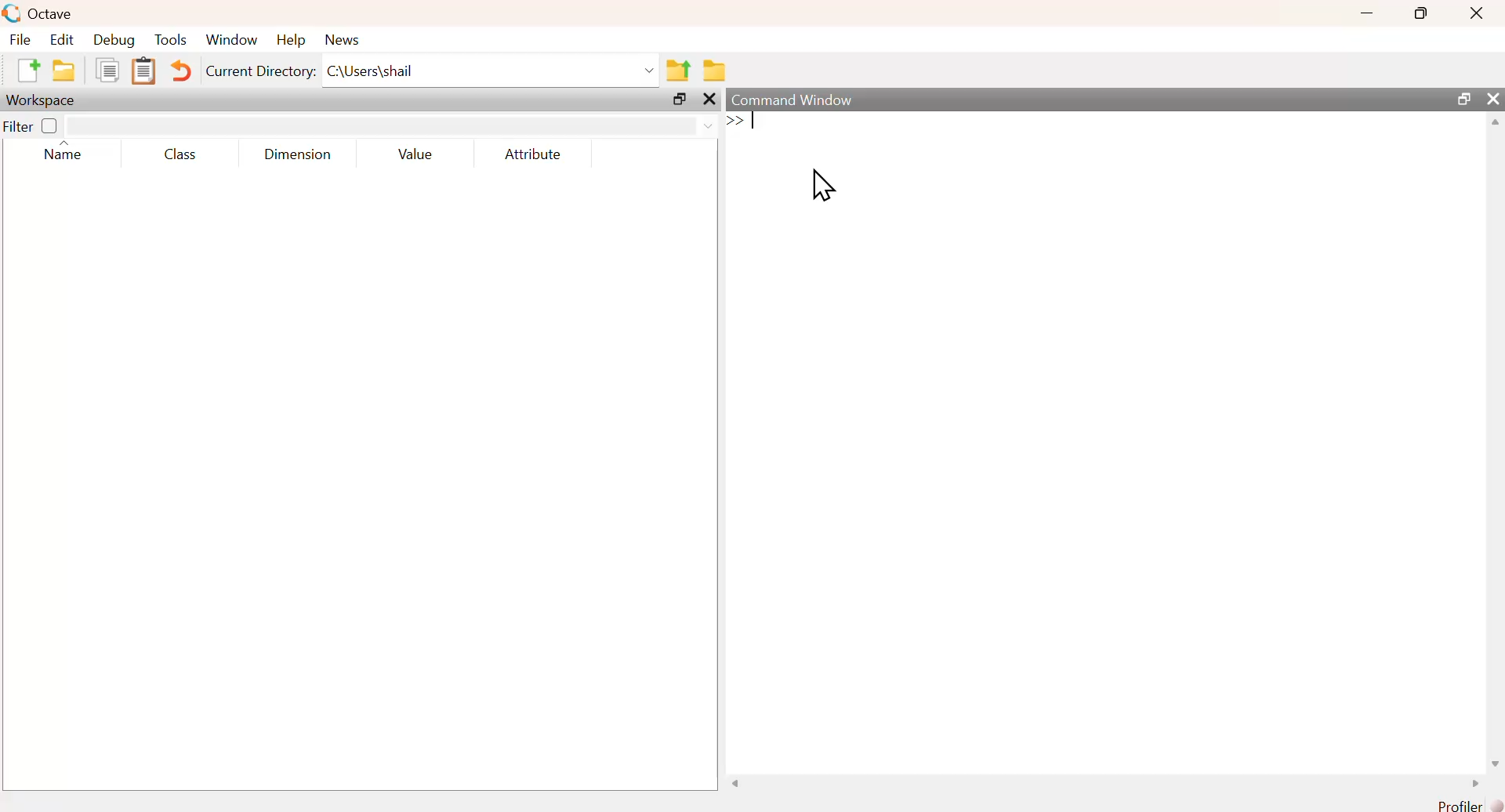 Image resolution: width=1505 pixels, height=812 pixels. Describe the element at coordinates (143, 71) in the screenshot. I see `Clipboard` at that location.